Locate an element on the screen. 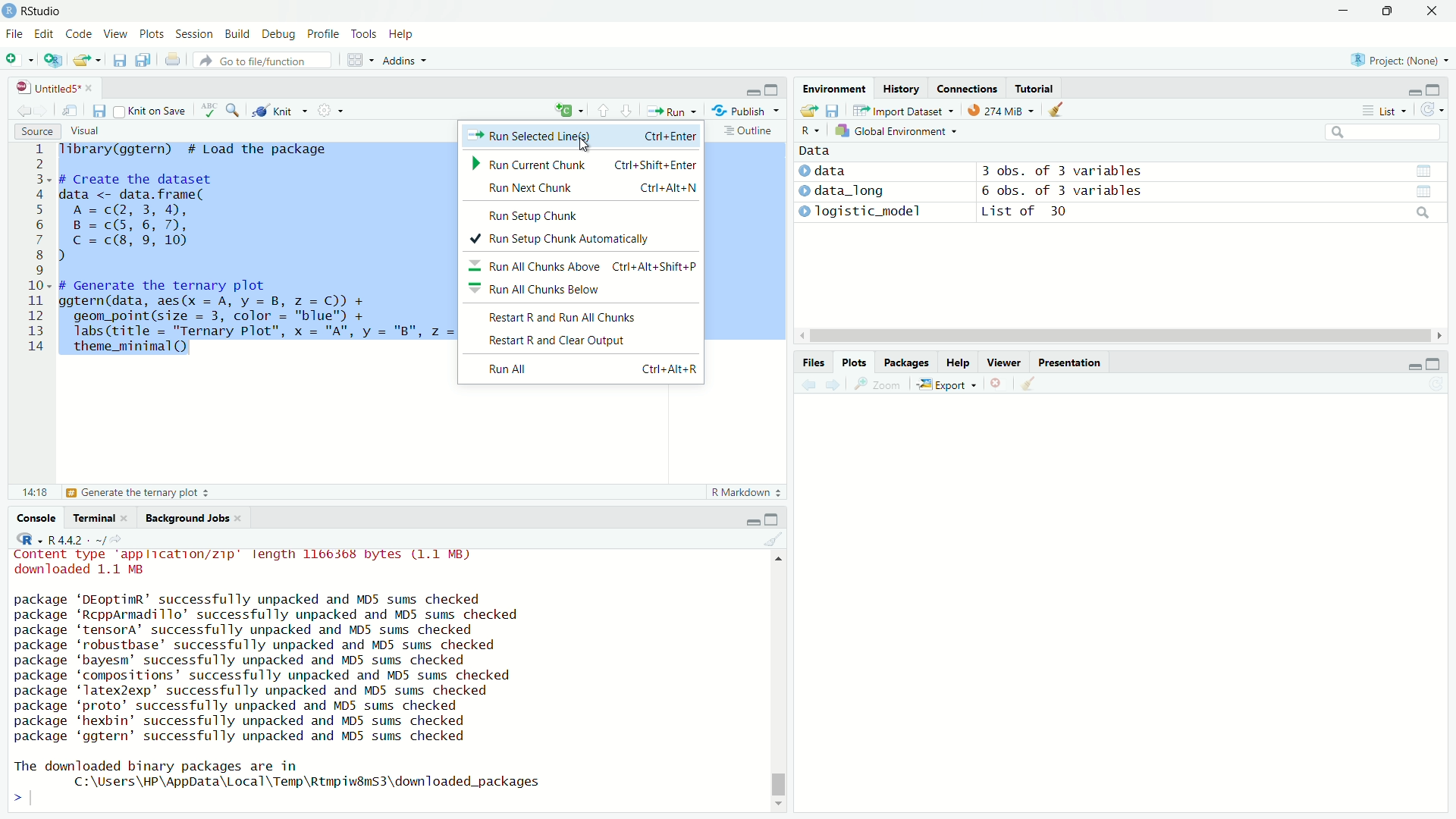 This screenshot has width=1456, height=819. maximise is located at coordinates (775, 519).